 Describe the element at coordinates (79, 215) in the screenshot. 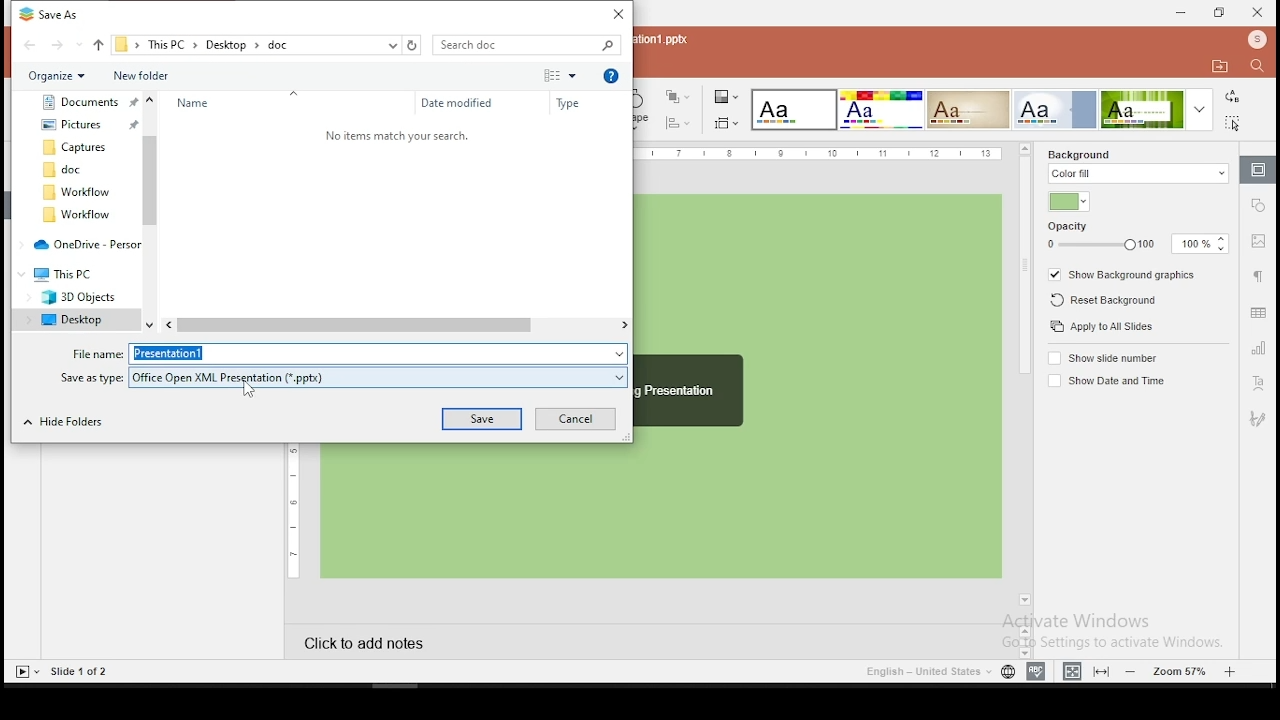

I see `workflow` at that location.